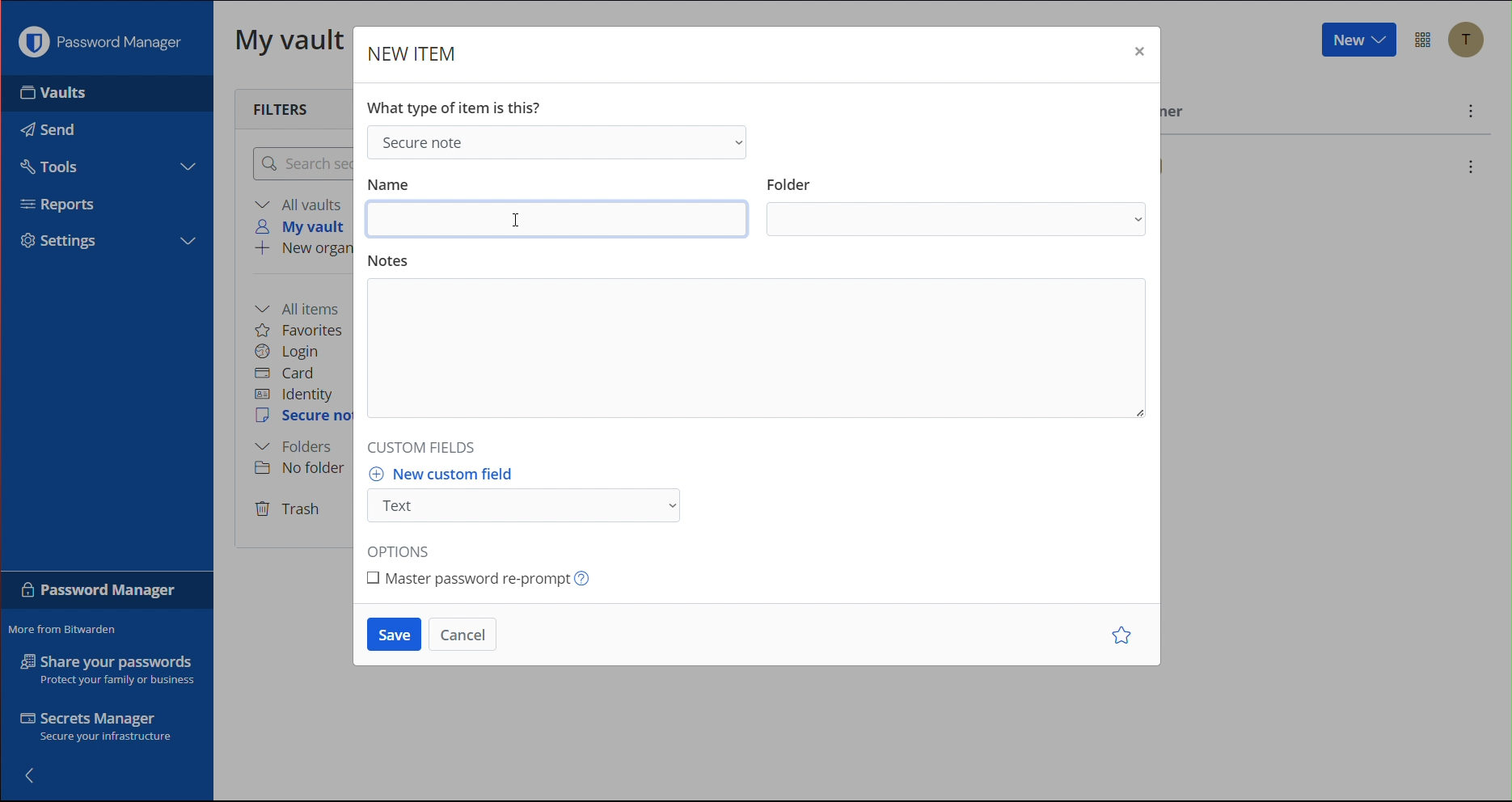  Describe the element at coordinates (557, 223) in the screenshot. I see `` at that location.